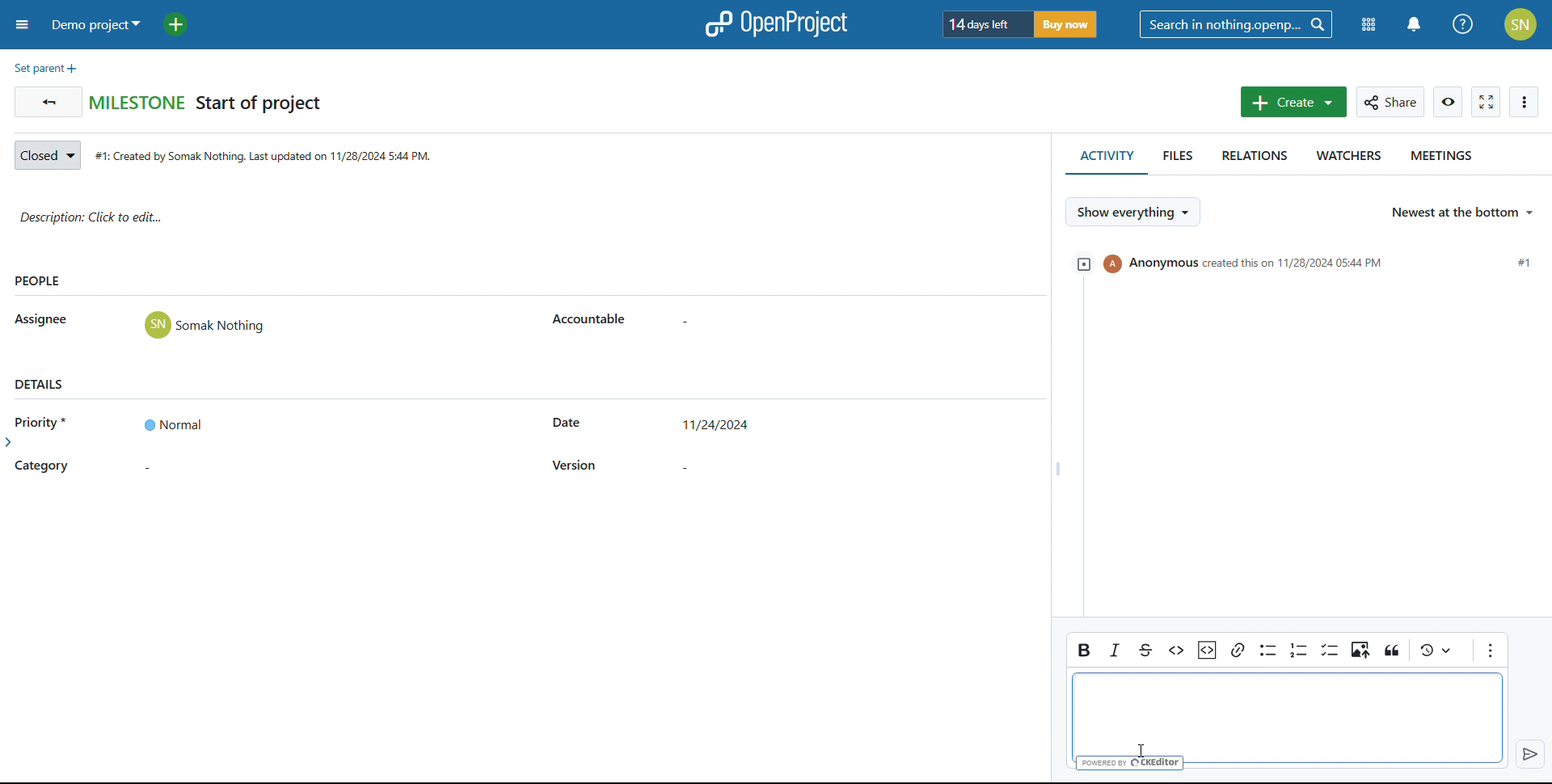 Image resolution: width=1552 pixels, height=784 pixels. What do you see at coordinates (1346, 159) in the screenshot?
I see `watchers` at bounding box center [1346, 159].